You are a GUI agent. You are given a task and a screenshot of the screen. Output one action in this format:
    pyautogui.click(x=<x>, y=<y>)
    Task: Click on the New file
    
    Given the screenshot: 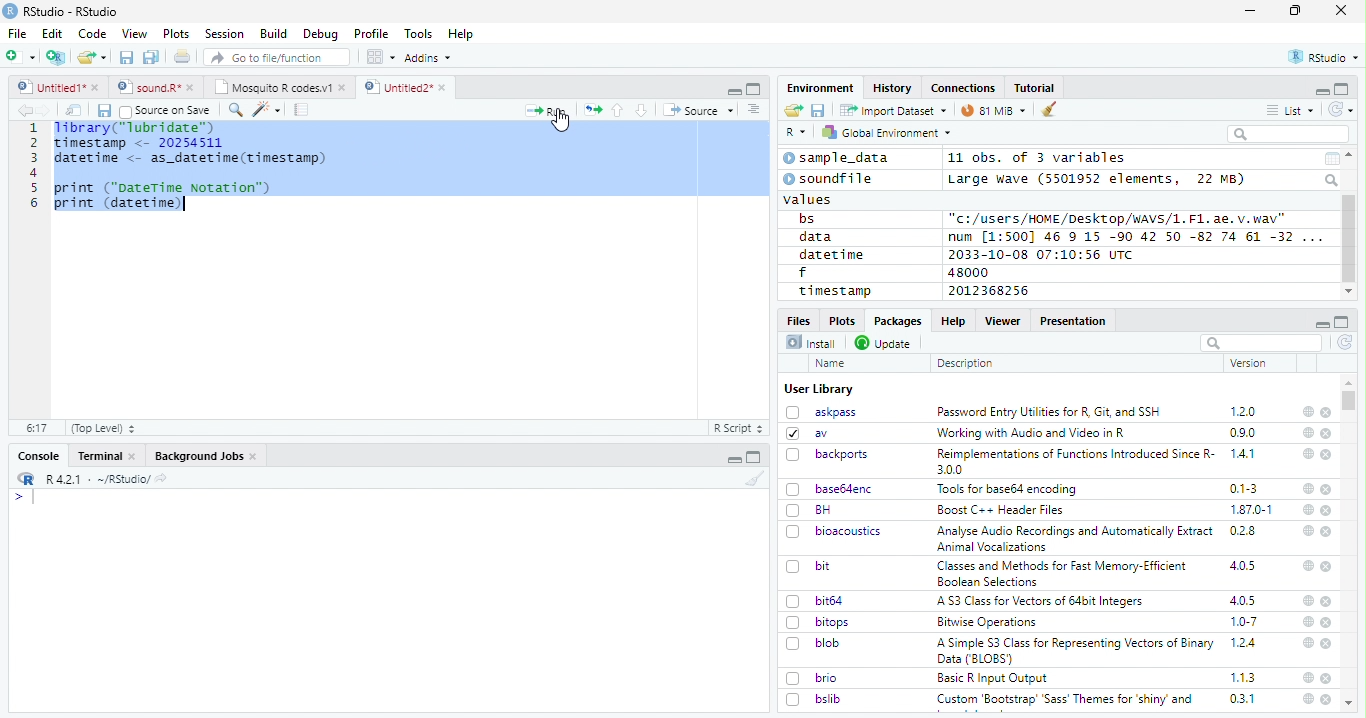 What is the action you would take?
    pyautogui.click(x=22, y=57)
    